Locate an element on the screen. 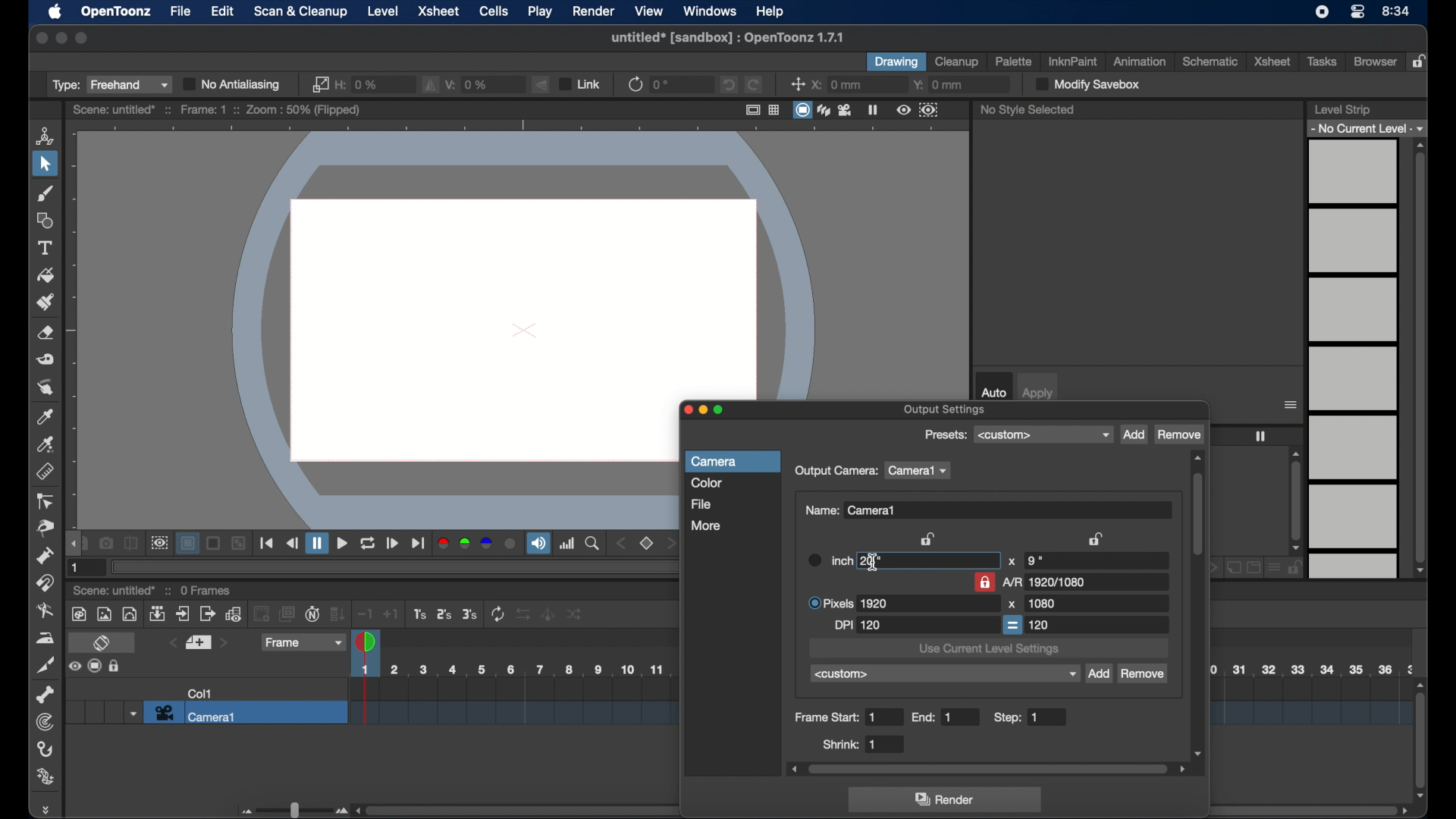  brush tool is located at coordinates (45, 193).